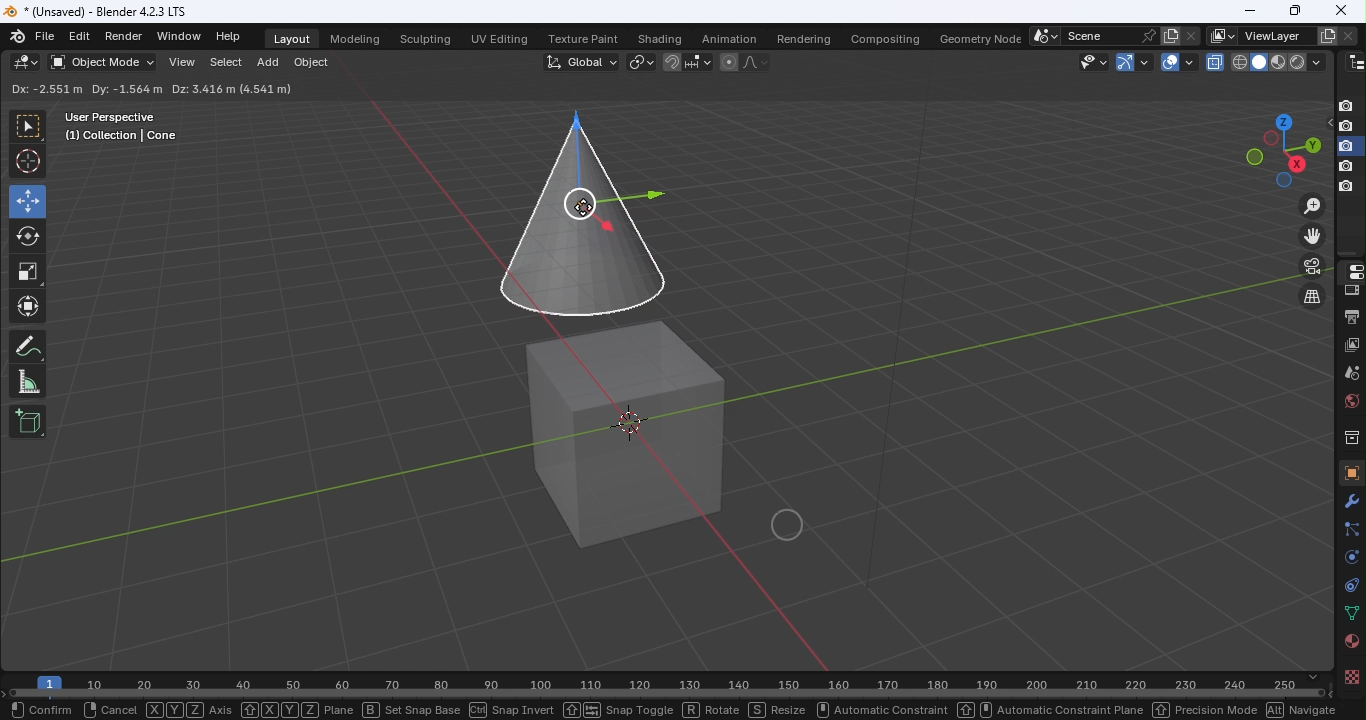 The width and height of the screenshot is (1366, 720). Describe the element at coordinates (1328, 34) in the screenshot. I see `Add view layer` at that location.